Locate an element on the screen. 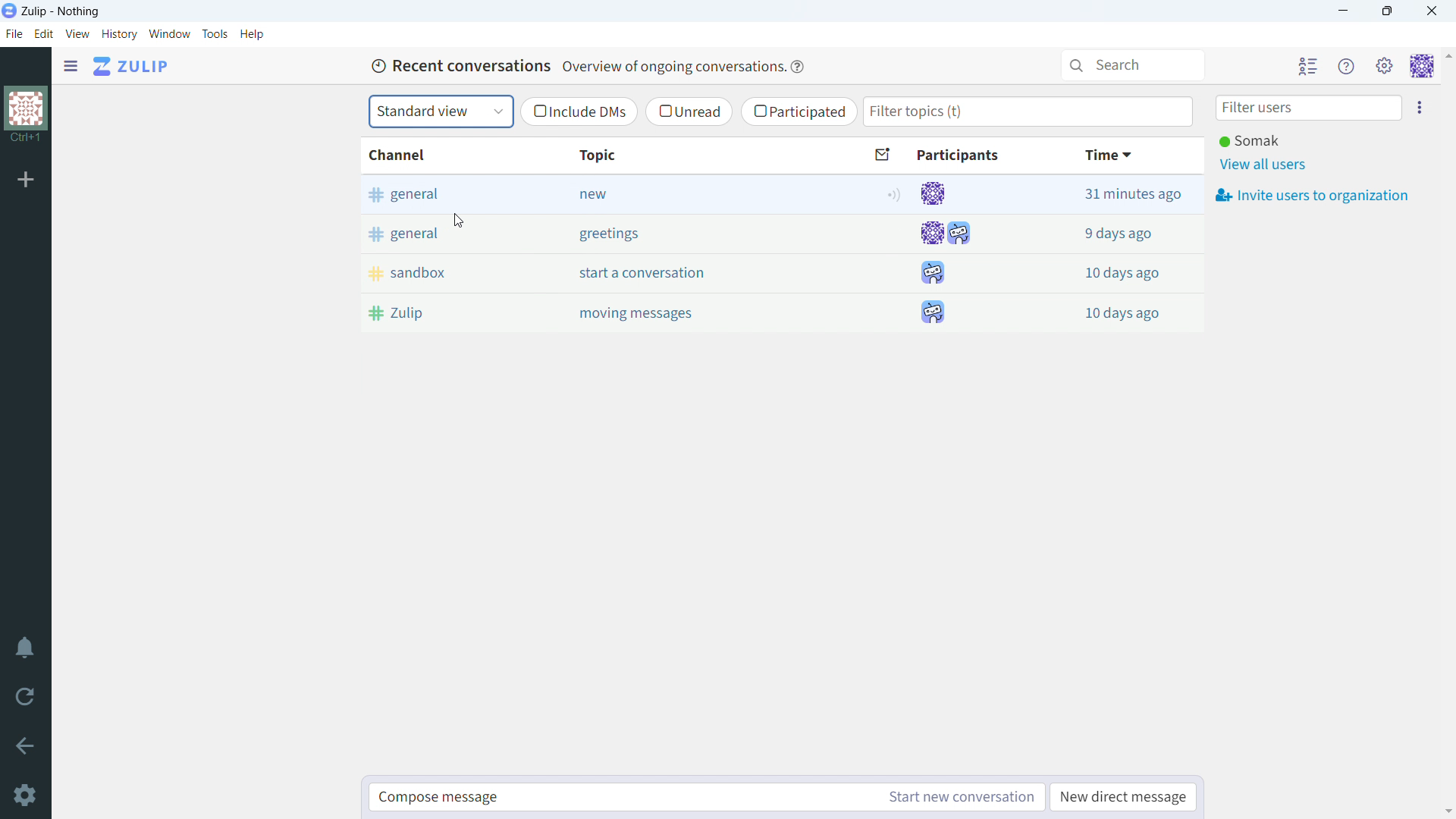  serarch is located at coordinates (1132, 65).